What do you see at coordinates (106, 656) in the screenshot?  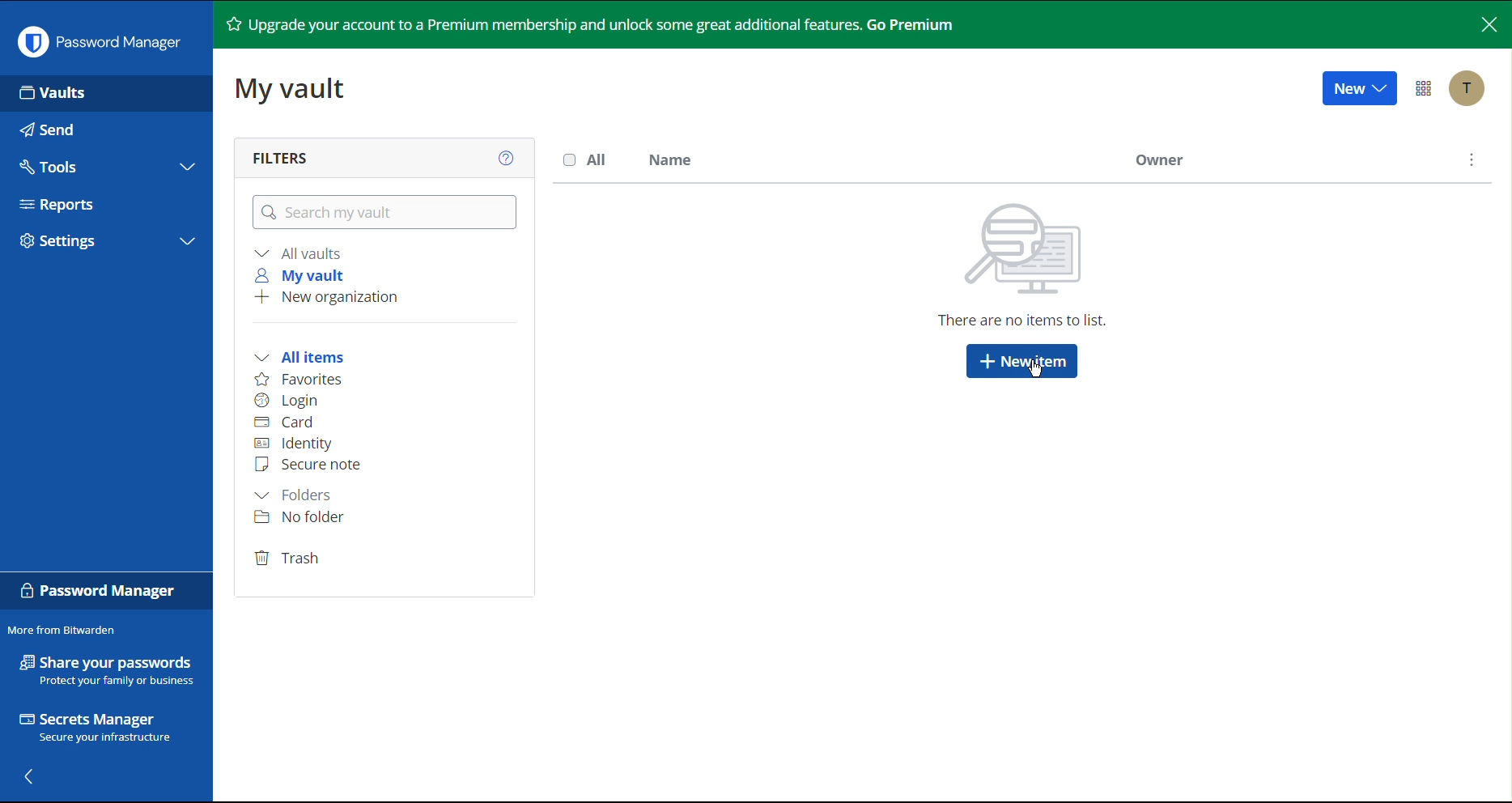 I see `Share your passwords` at bounding box center [106, 656].